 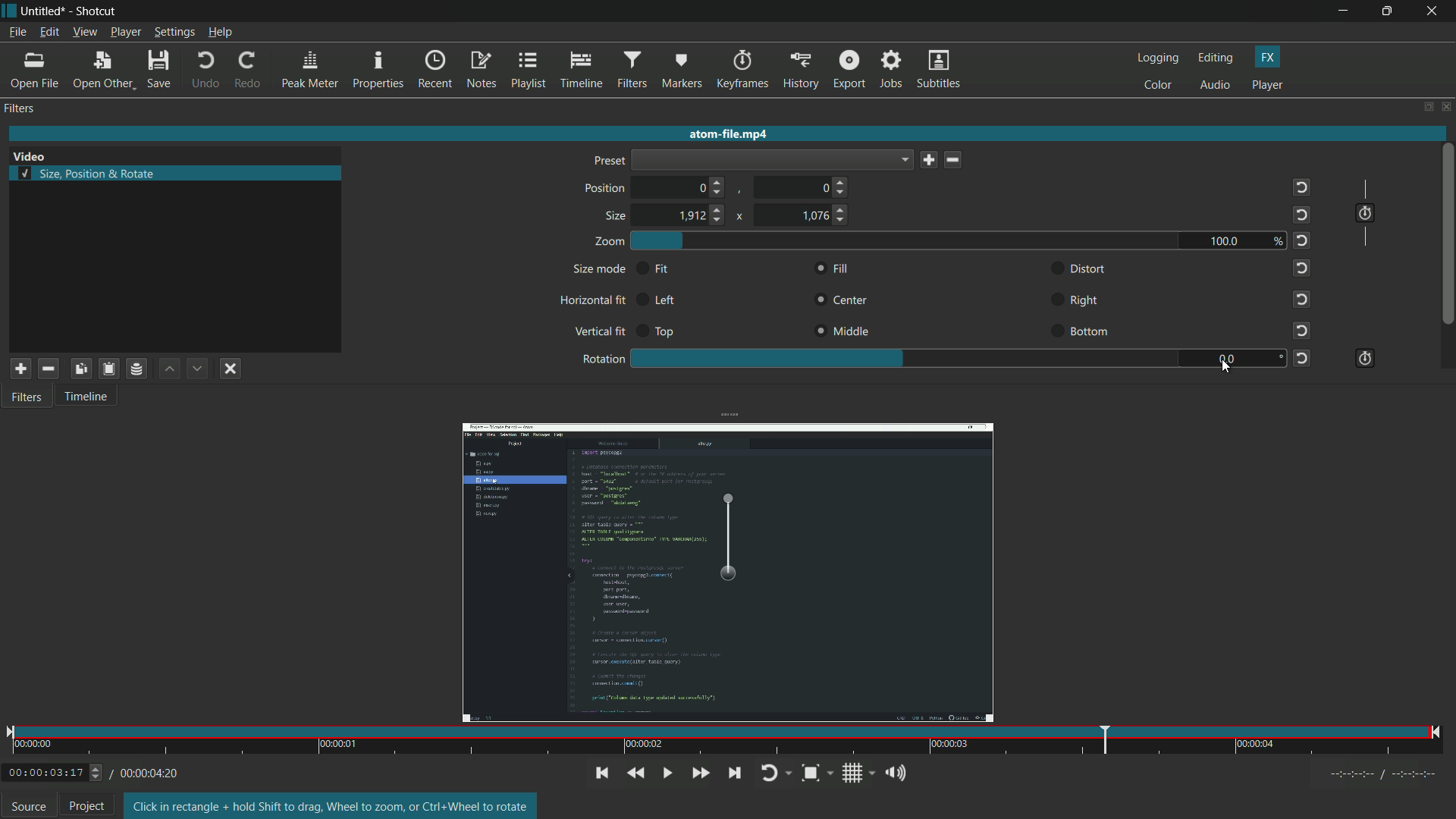 What do you see at coordinates (174, 33) in the screenshot?
I see `settings menu` at bounding box center [174, 33].